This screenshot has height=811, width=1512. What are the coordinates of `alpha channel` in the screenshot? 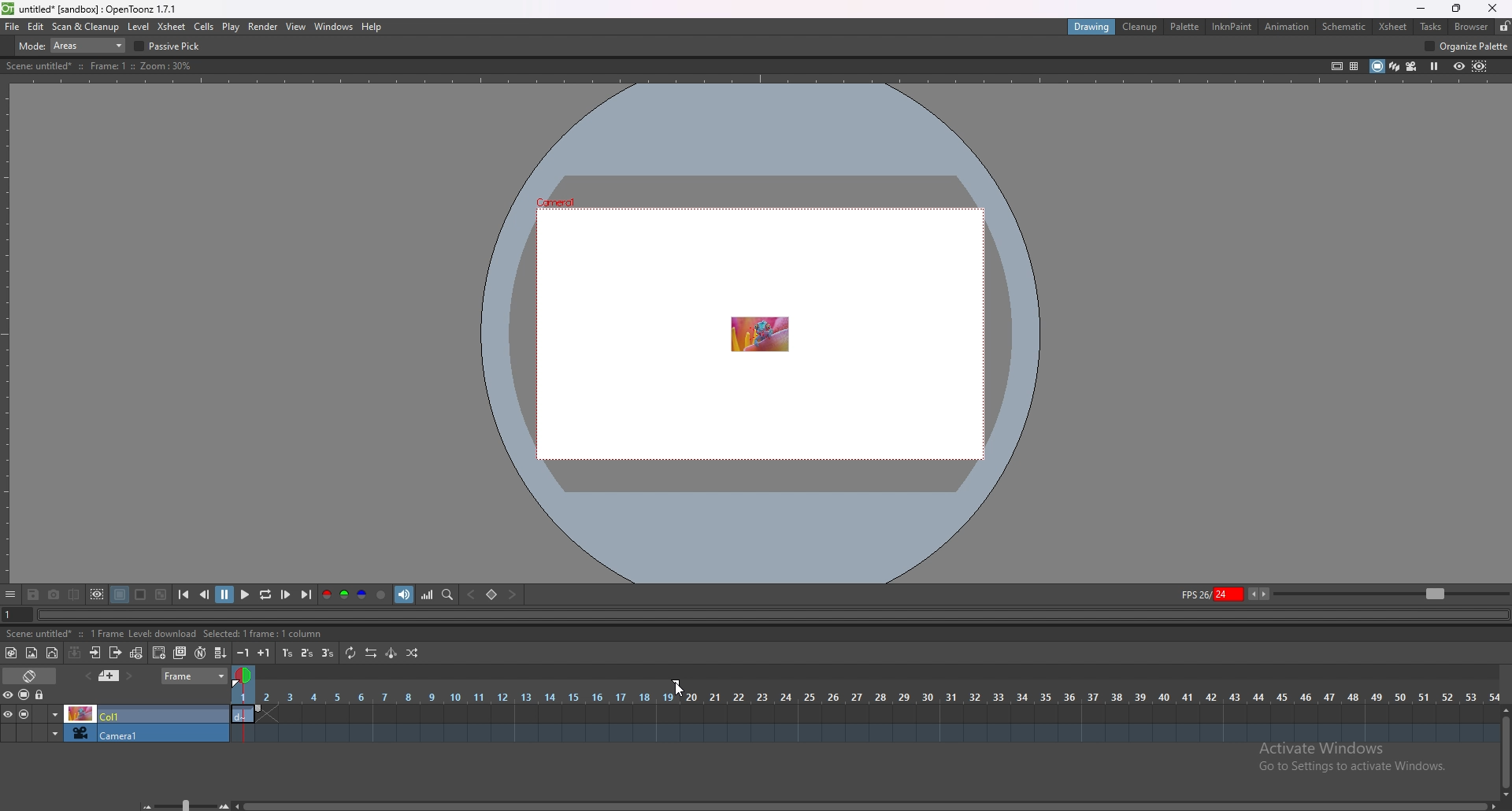 It's located at (382, 594).